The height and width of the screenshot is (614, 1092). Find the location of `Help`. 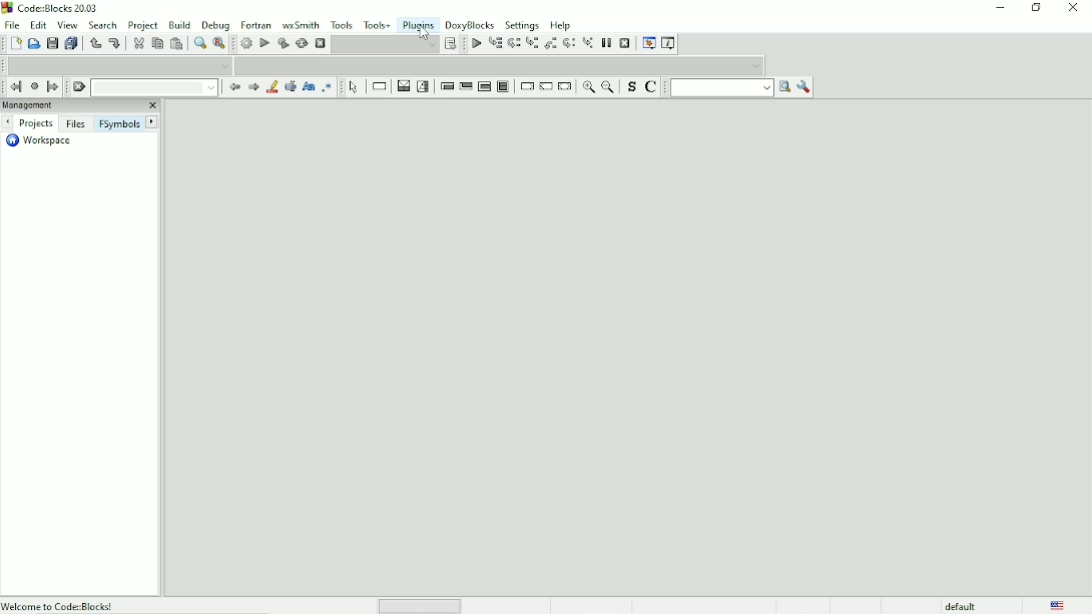

Help is located at coordinates (561, 24).